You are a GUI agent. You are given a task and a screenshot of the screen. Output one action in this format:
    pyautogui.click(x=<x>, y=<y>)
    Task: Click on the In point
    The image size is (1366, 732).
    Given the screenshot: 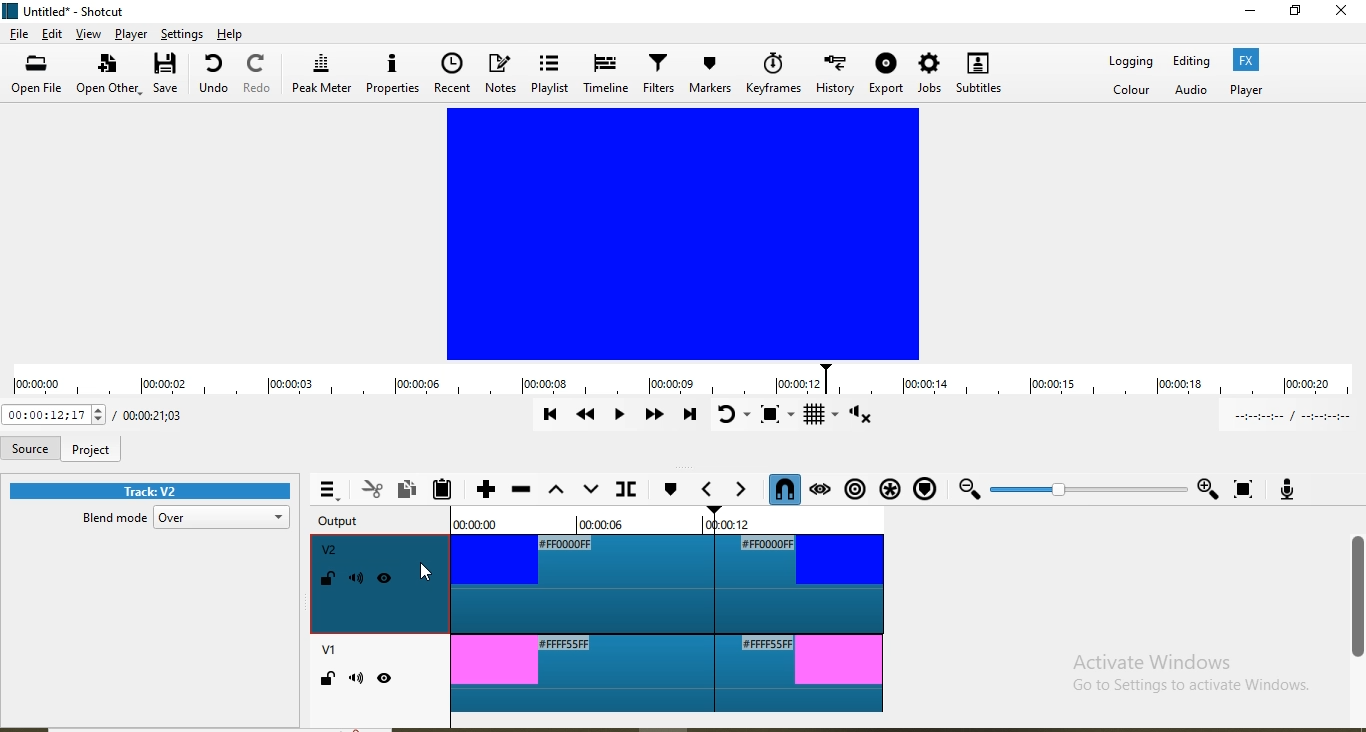 What is the action you would take?
    pyautogui.click(x=1292, y=416)
    